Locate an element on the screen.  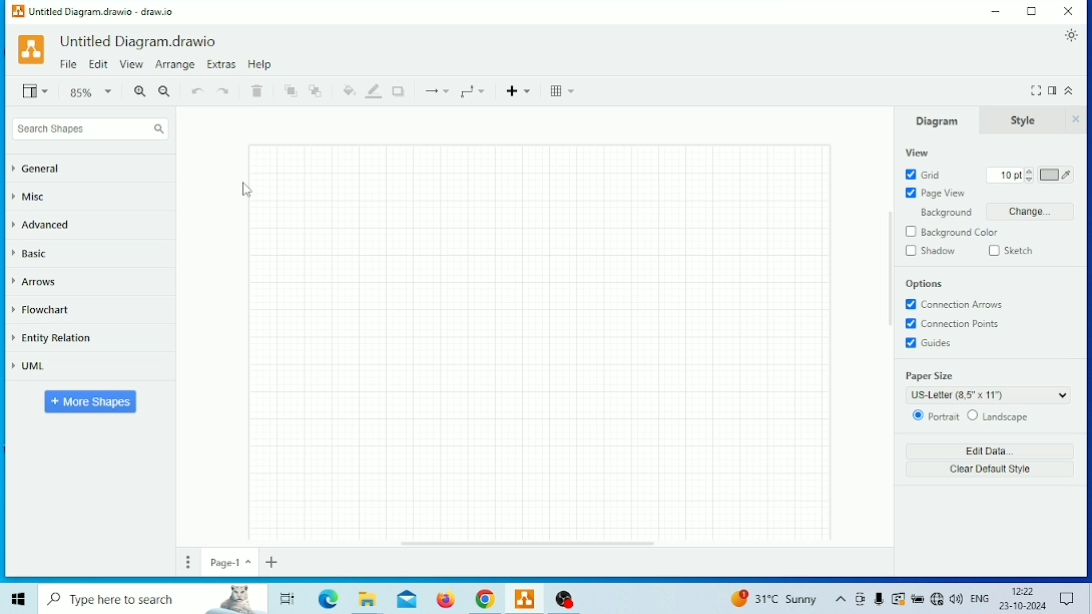
File is located at coordinates (68, 64).